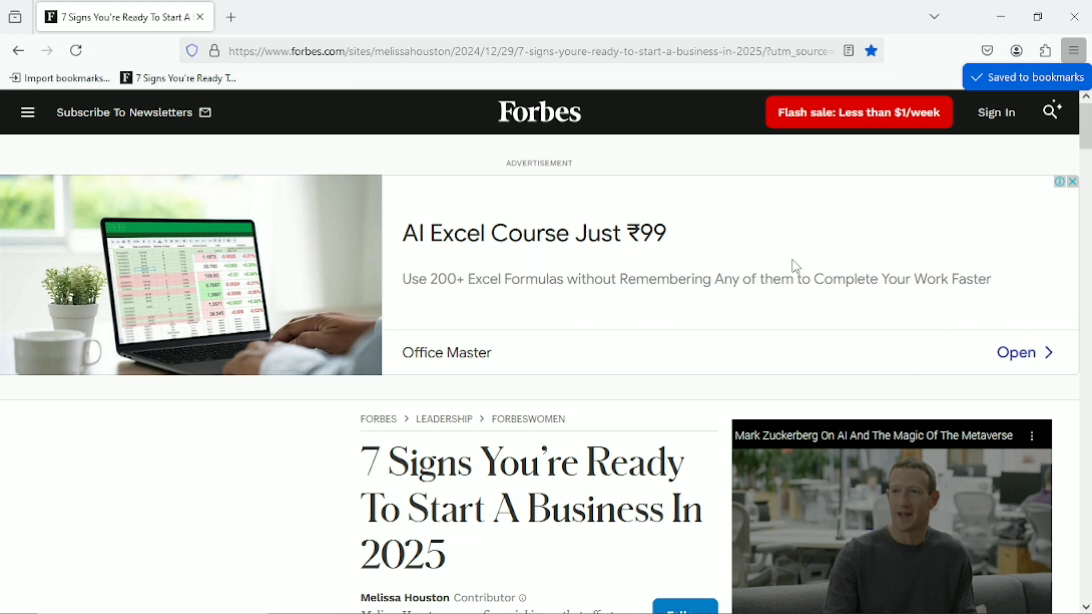 This screenshot has height=614, width=1092. What do you see at coordinates (1085, 126) in the screenshot?
I see `Vertical scrollbar` at bounding box center [1085, 126].